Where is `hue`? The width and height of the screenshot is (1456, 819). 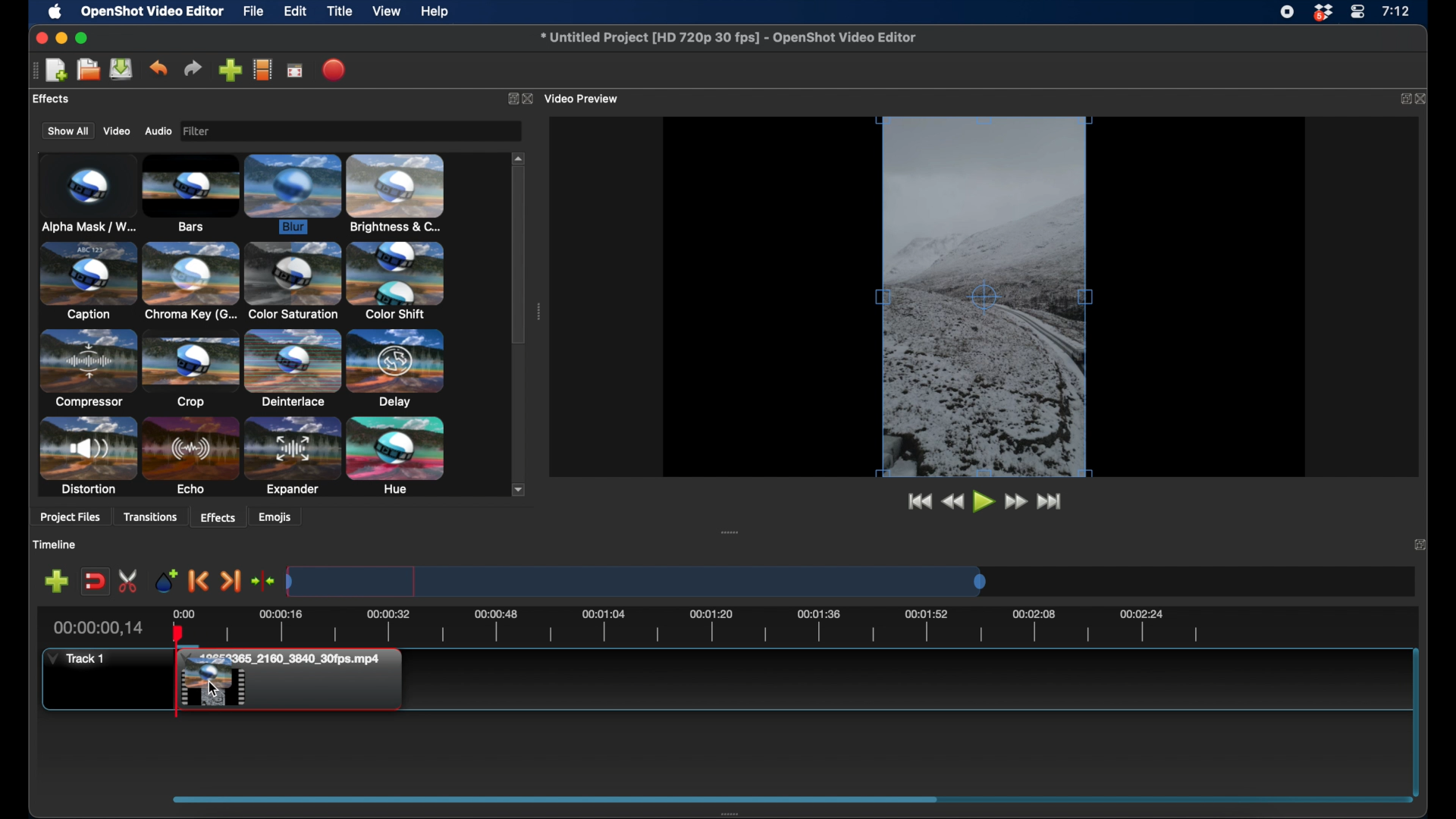
hue is located at coordinates (396, 457).